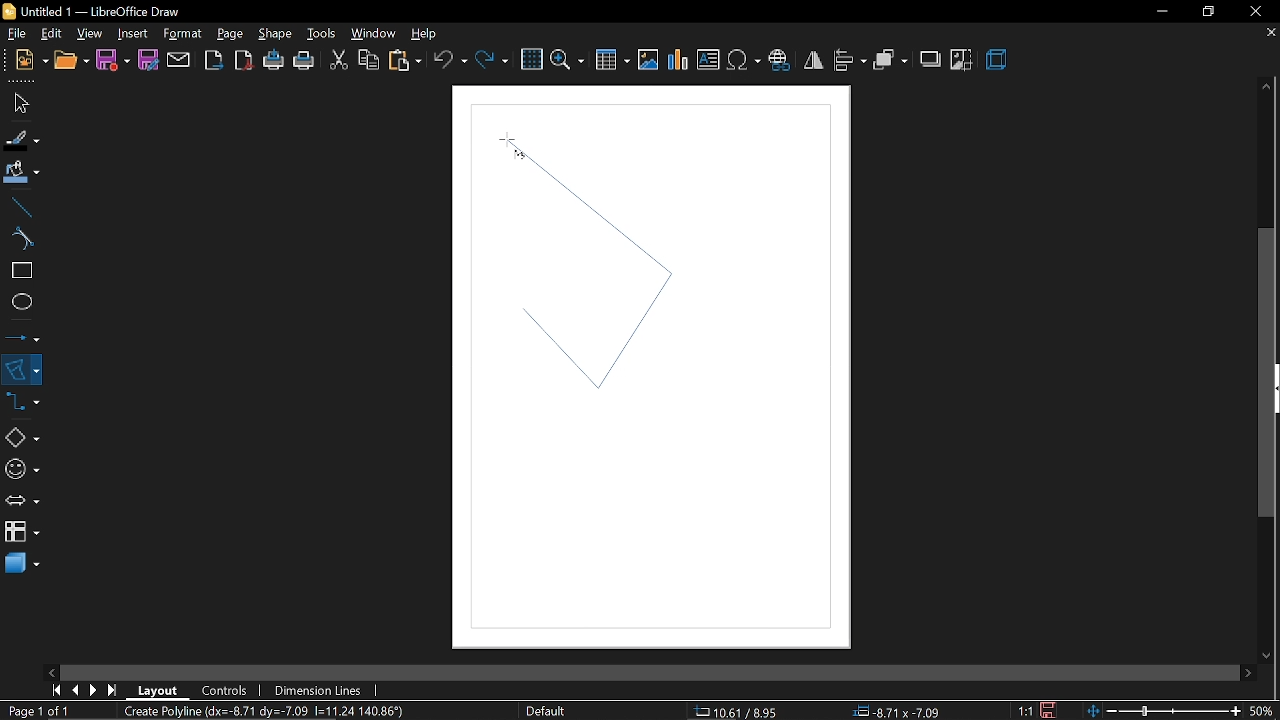 The height and width of the screenshot is (720, 1280). I want to click on insert chart, so click(679, 60).